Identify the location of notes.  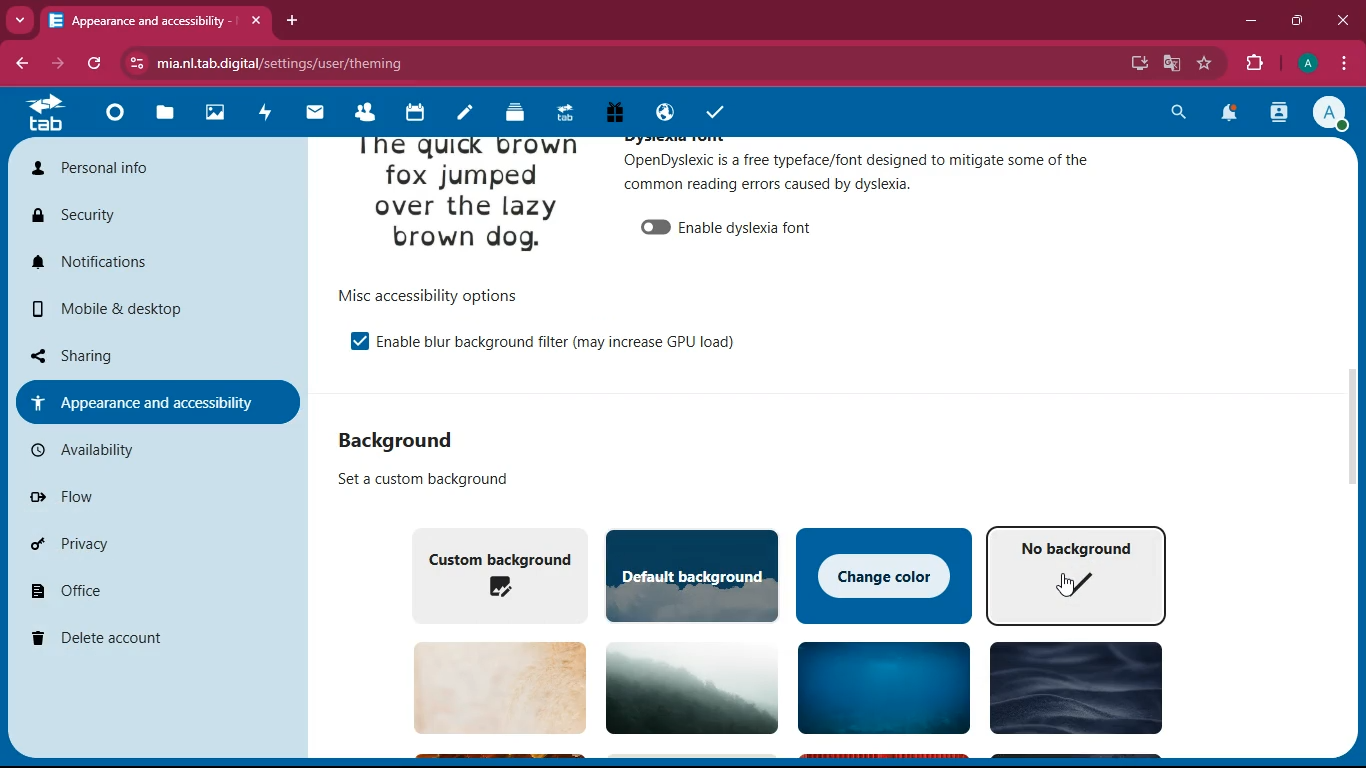
(458, 114).